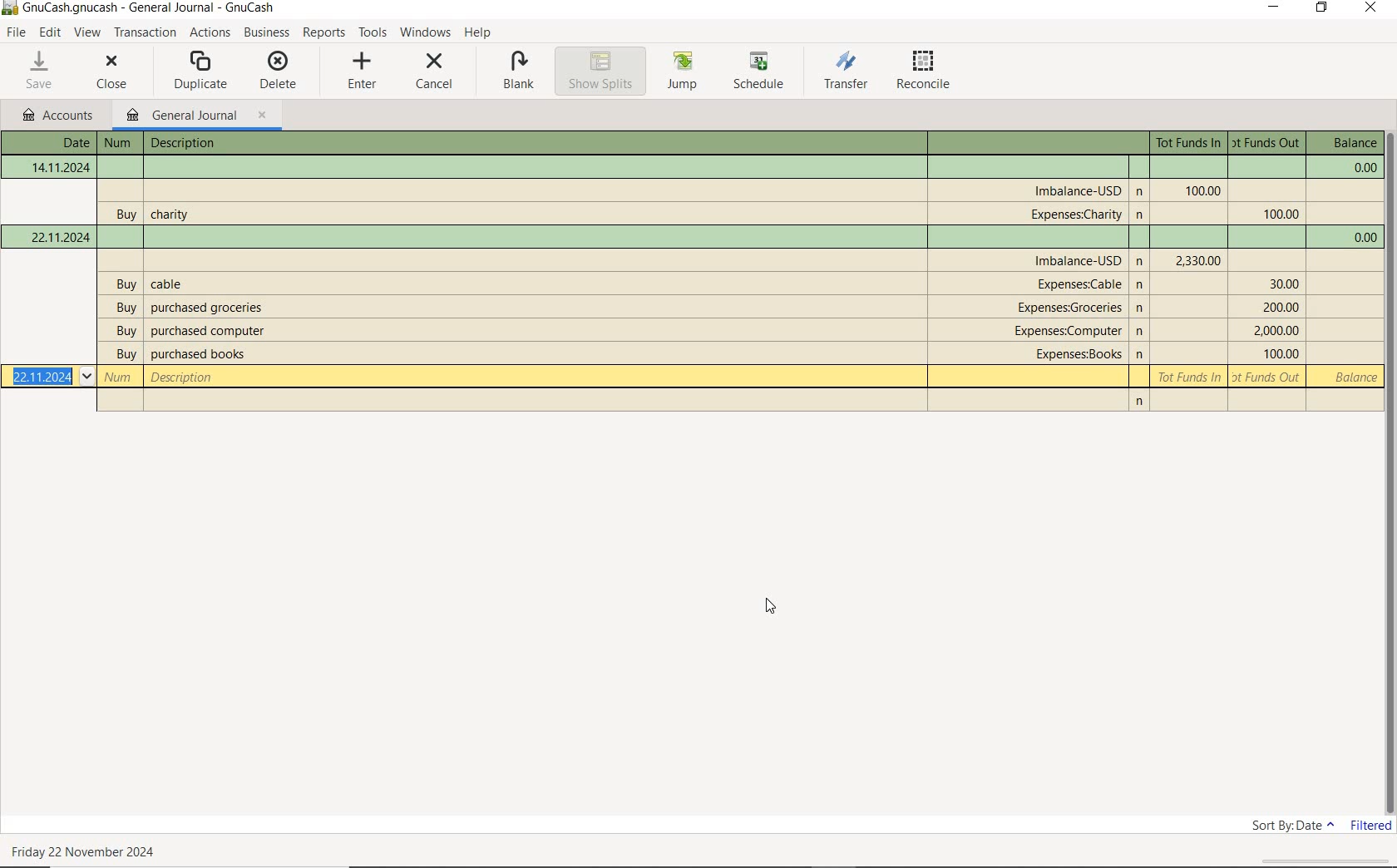 The width and height of the screenshot is (1397, 868). I want to click on Date, so click(62, 168).